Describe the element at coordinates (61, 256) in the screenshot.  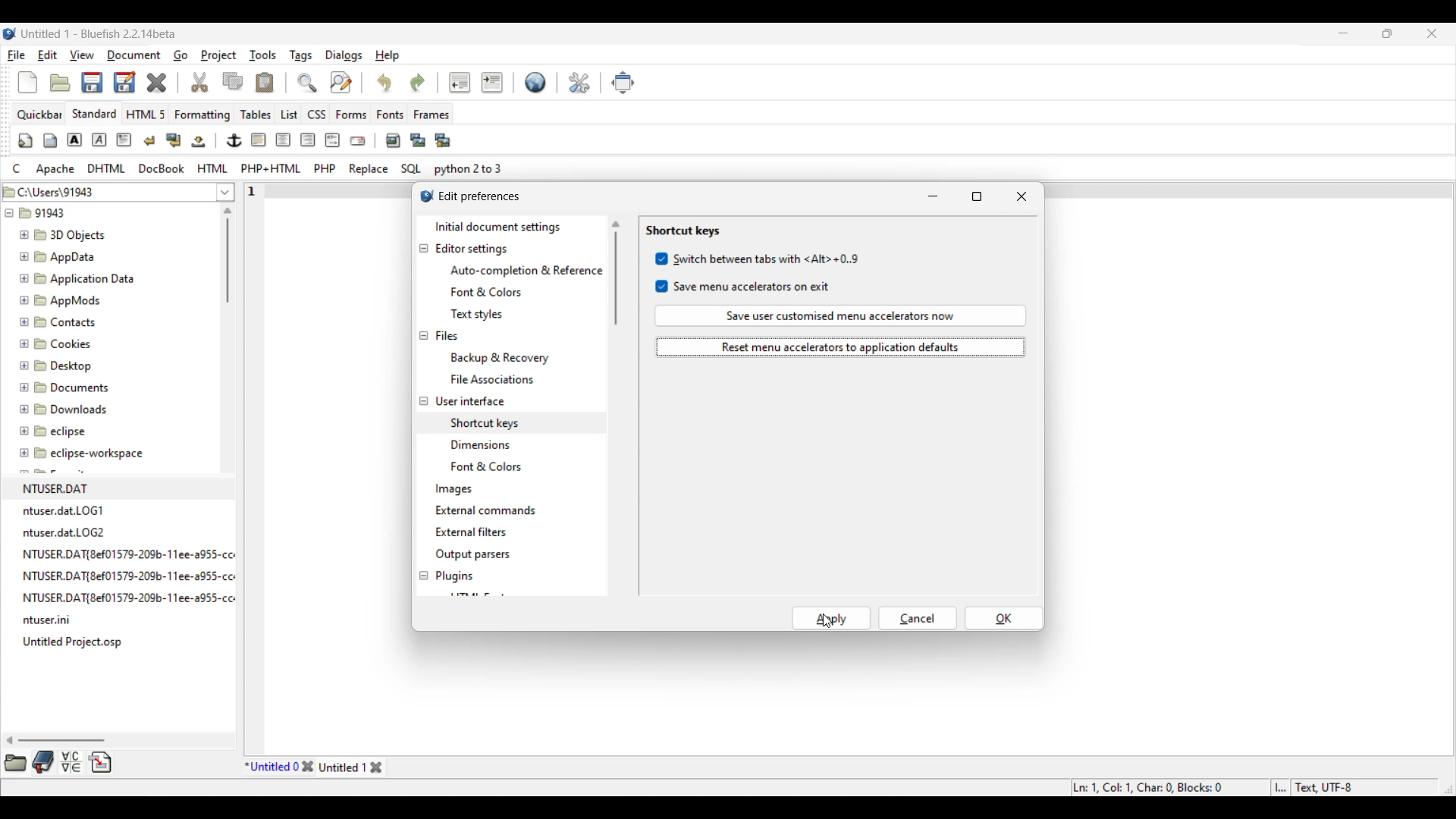
I see `AppData` at that location.